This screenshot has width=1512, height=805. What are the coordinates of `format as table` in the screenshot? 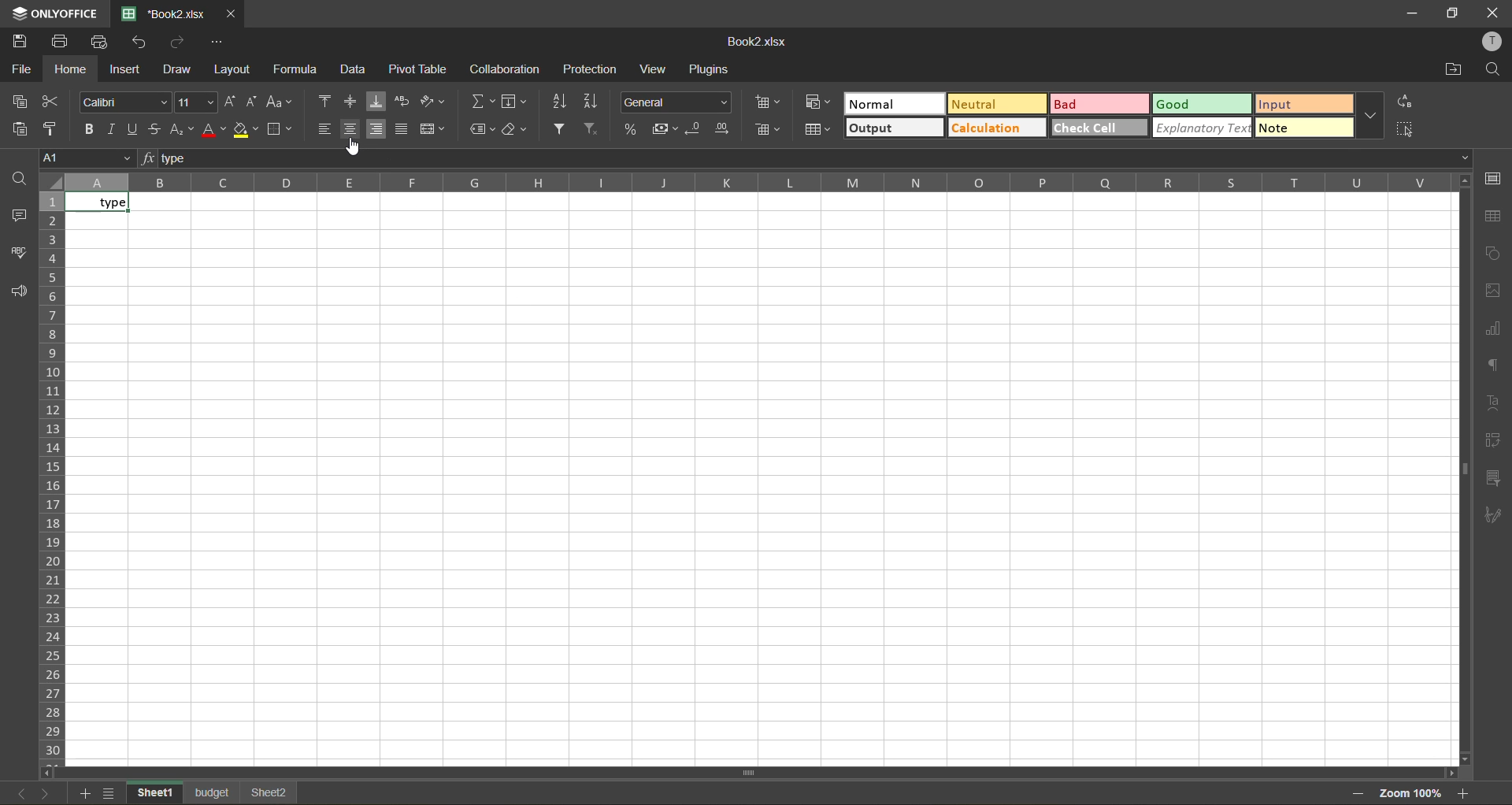 It's located at (818, 131).